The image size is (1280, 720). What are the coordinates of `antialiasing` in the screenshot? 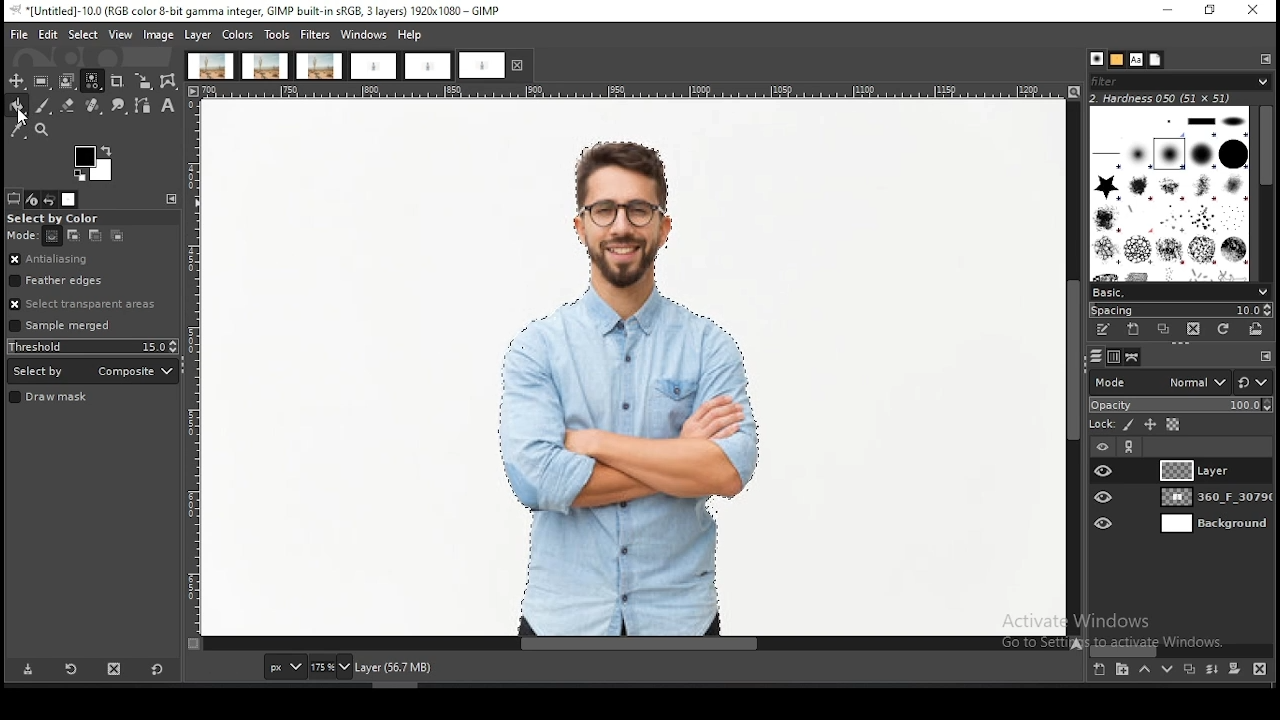 It's located at (55, 259).